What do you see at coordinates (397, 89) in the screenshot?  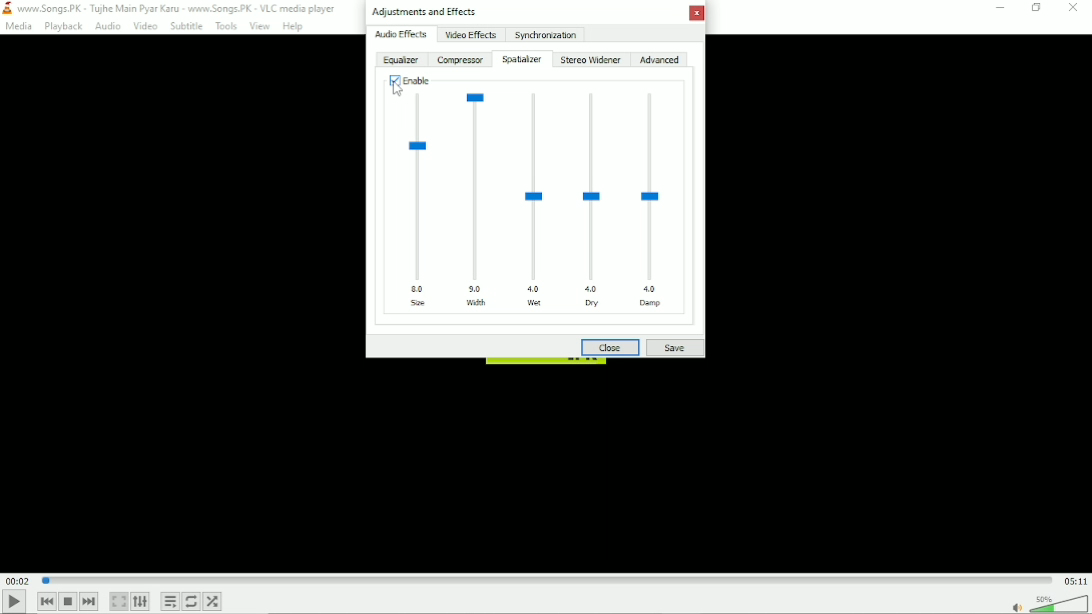 I see `Cursor` at bounding box center [397, 89].